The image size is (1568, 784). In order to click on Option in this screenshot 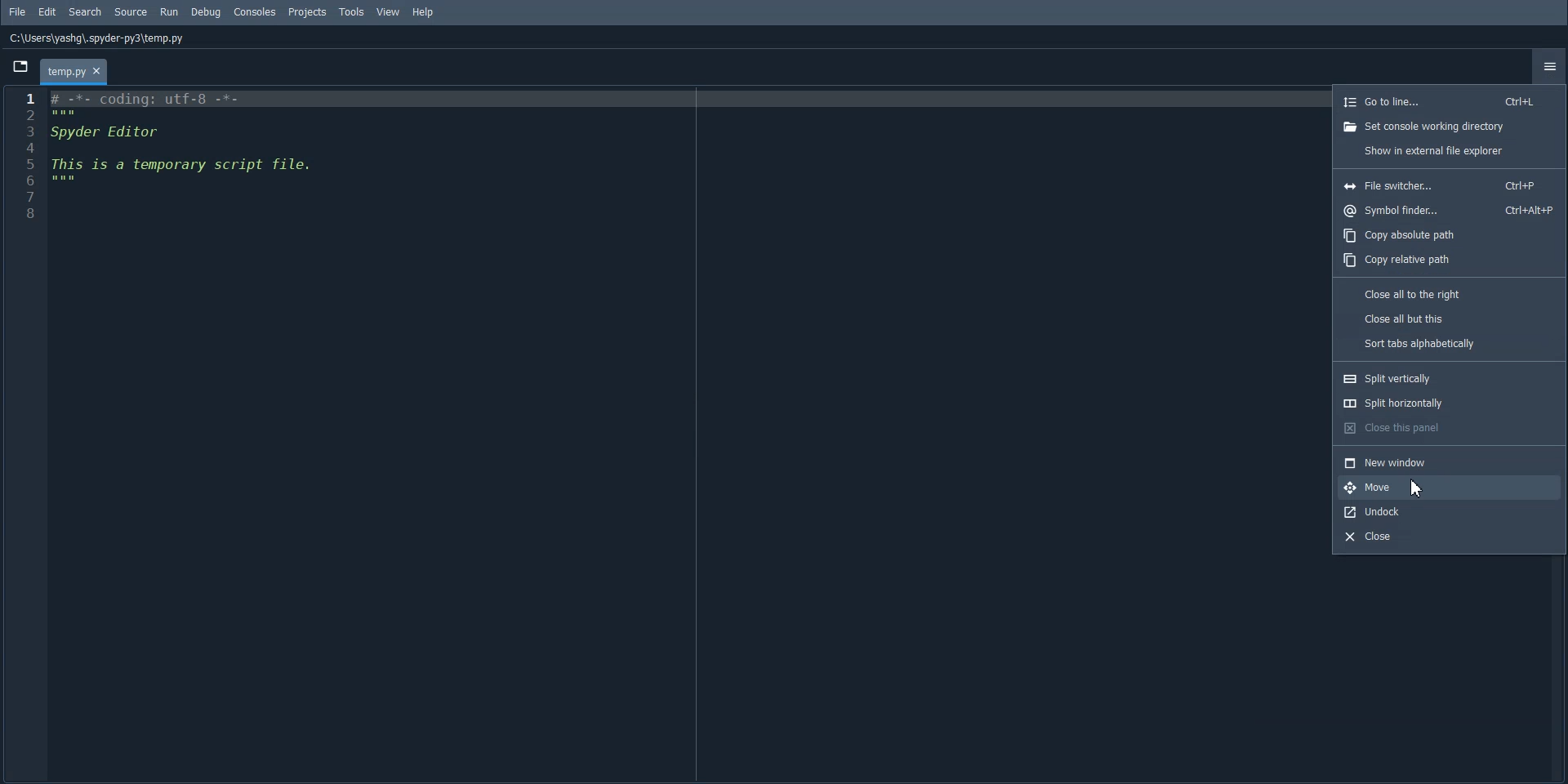, I will do `click(1549, 66)`.